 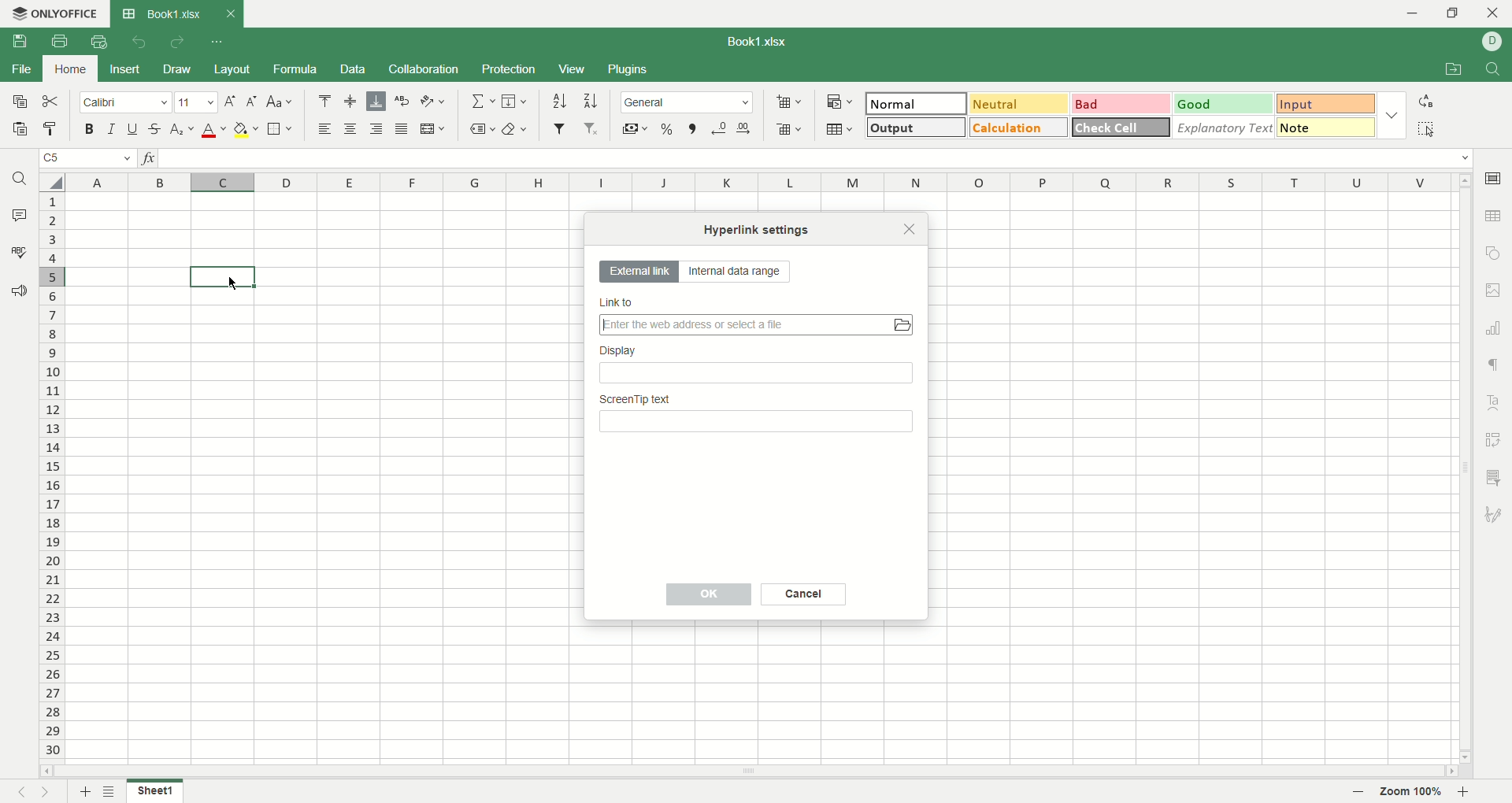 I want to click on fill, so click(x=514, y=102).